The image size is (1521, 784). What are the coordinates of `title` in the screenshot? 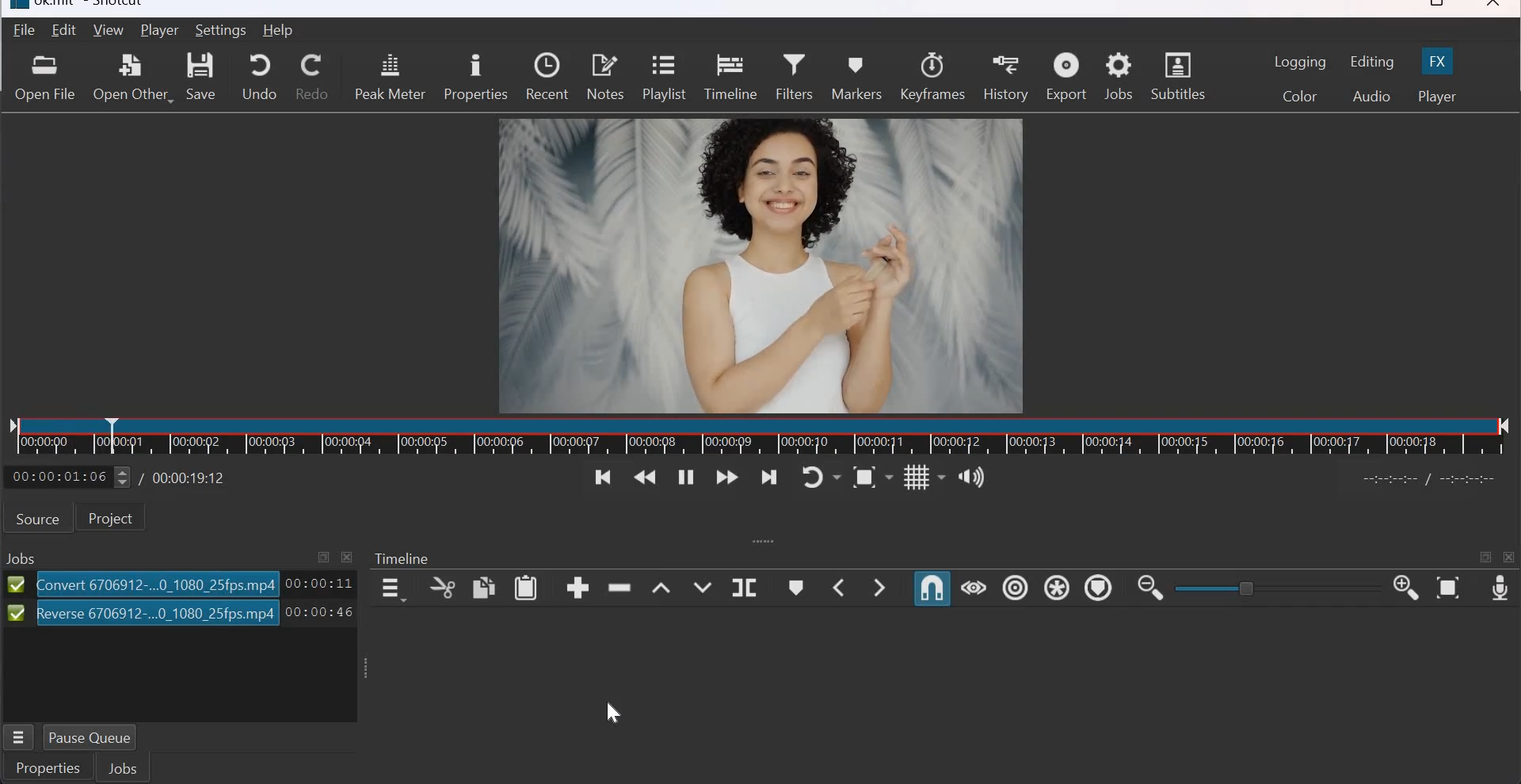 It's located at (91, 6).